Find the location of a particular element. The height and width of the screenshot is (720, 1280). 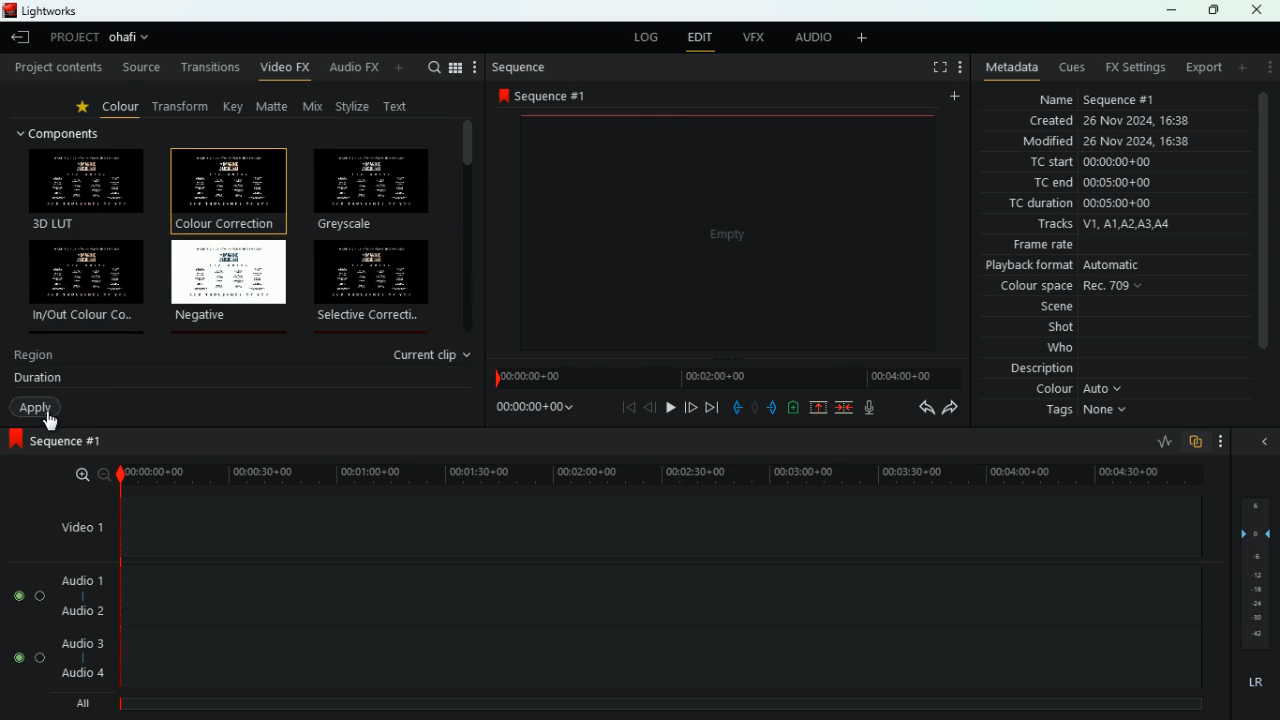

All is located at coordinates (86, 700).